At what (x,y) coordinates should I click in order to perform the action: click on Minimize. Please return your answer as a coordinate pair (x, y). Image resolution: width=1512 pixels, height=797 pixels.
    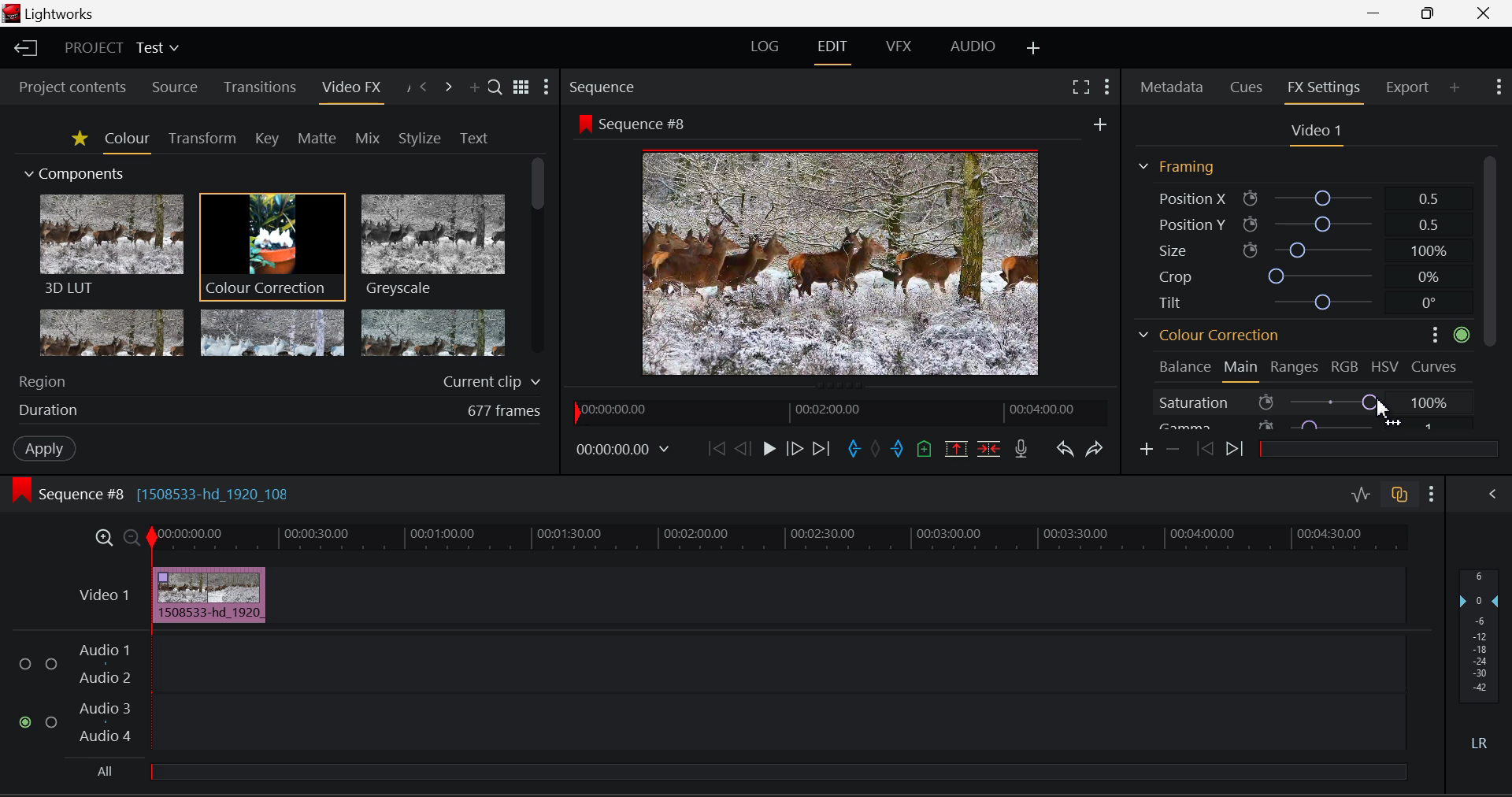
    Looking at the image, I should click on (1431, 13).